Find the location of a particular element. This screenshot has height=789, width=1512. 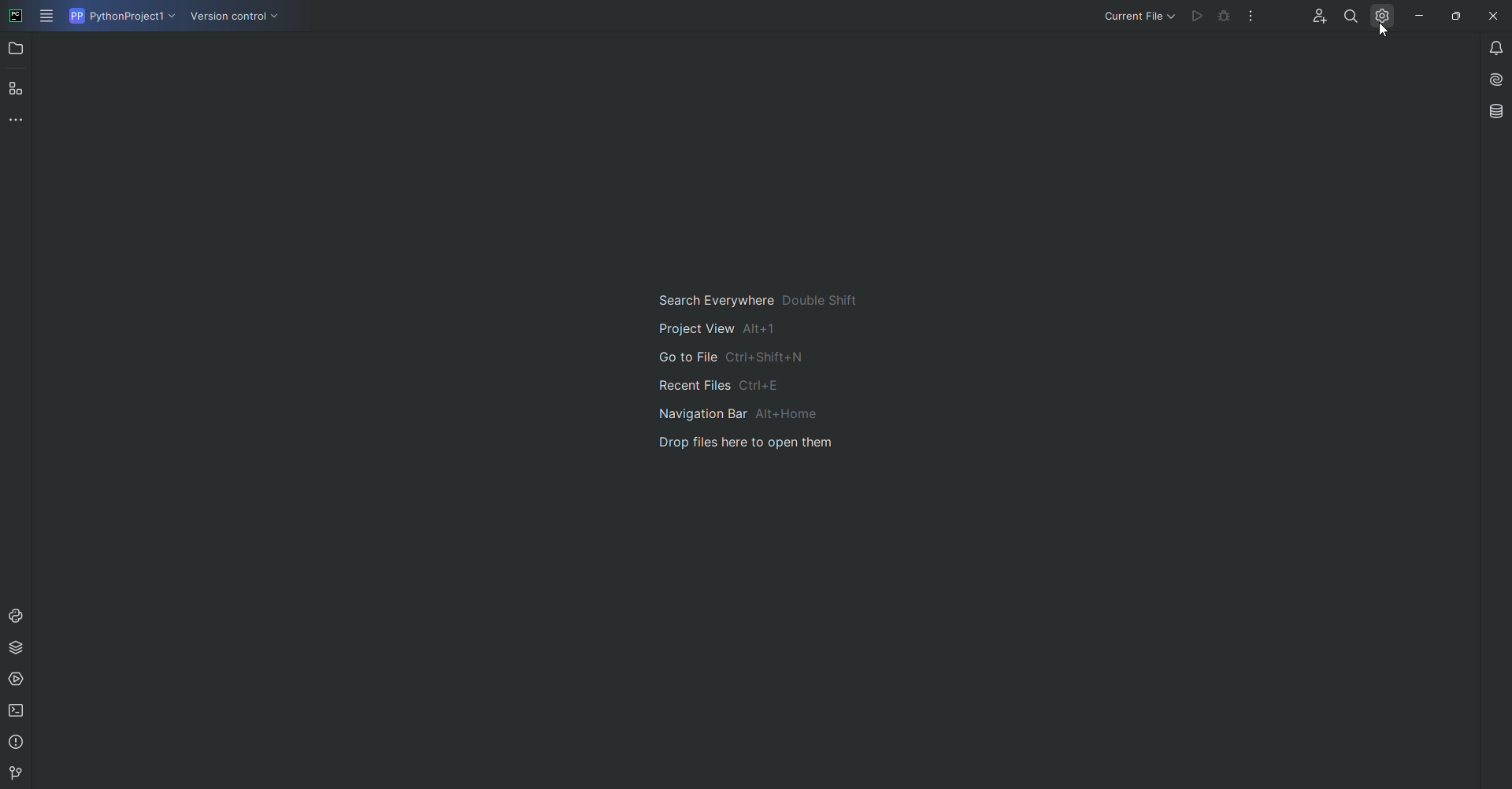

PyCharm is located at coordinates (17, 17).